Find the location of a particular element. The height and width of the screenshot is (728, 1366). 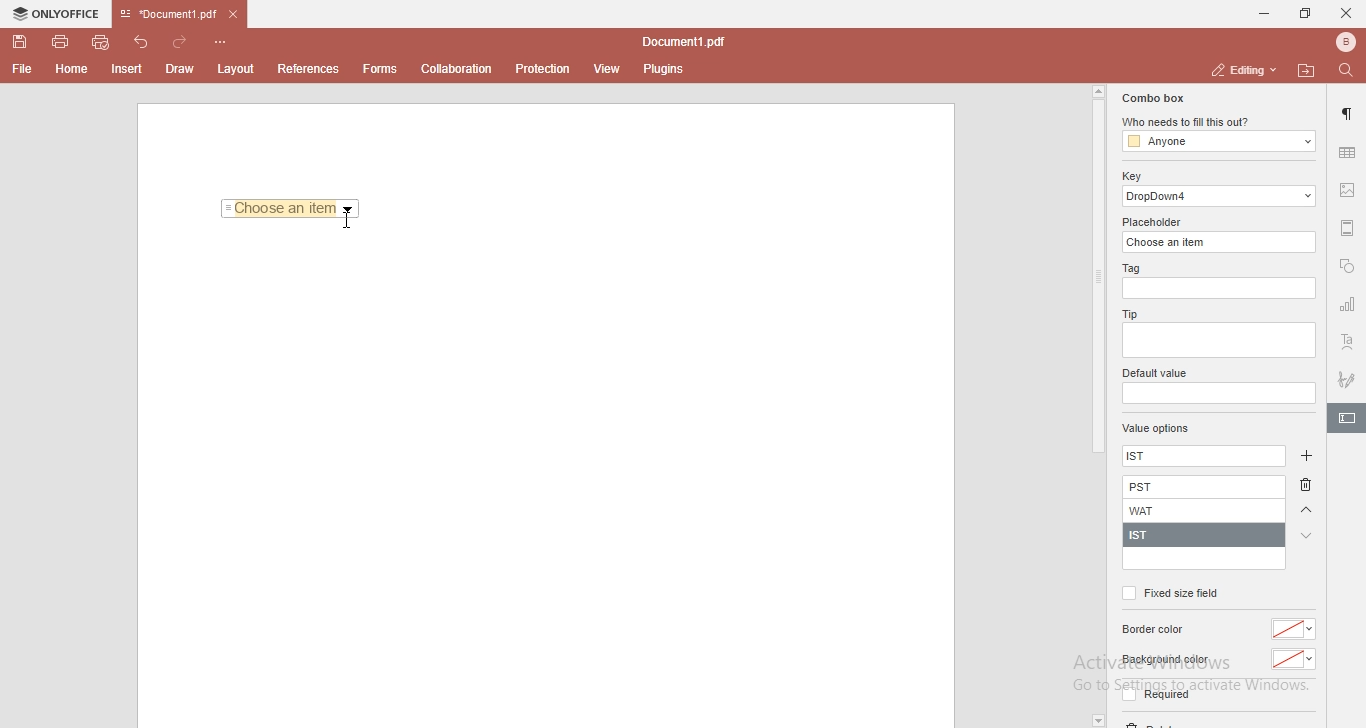

file name is located at coordinates (688, 43).